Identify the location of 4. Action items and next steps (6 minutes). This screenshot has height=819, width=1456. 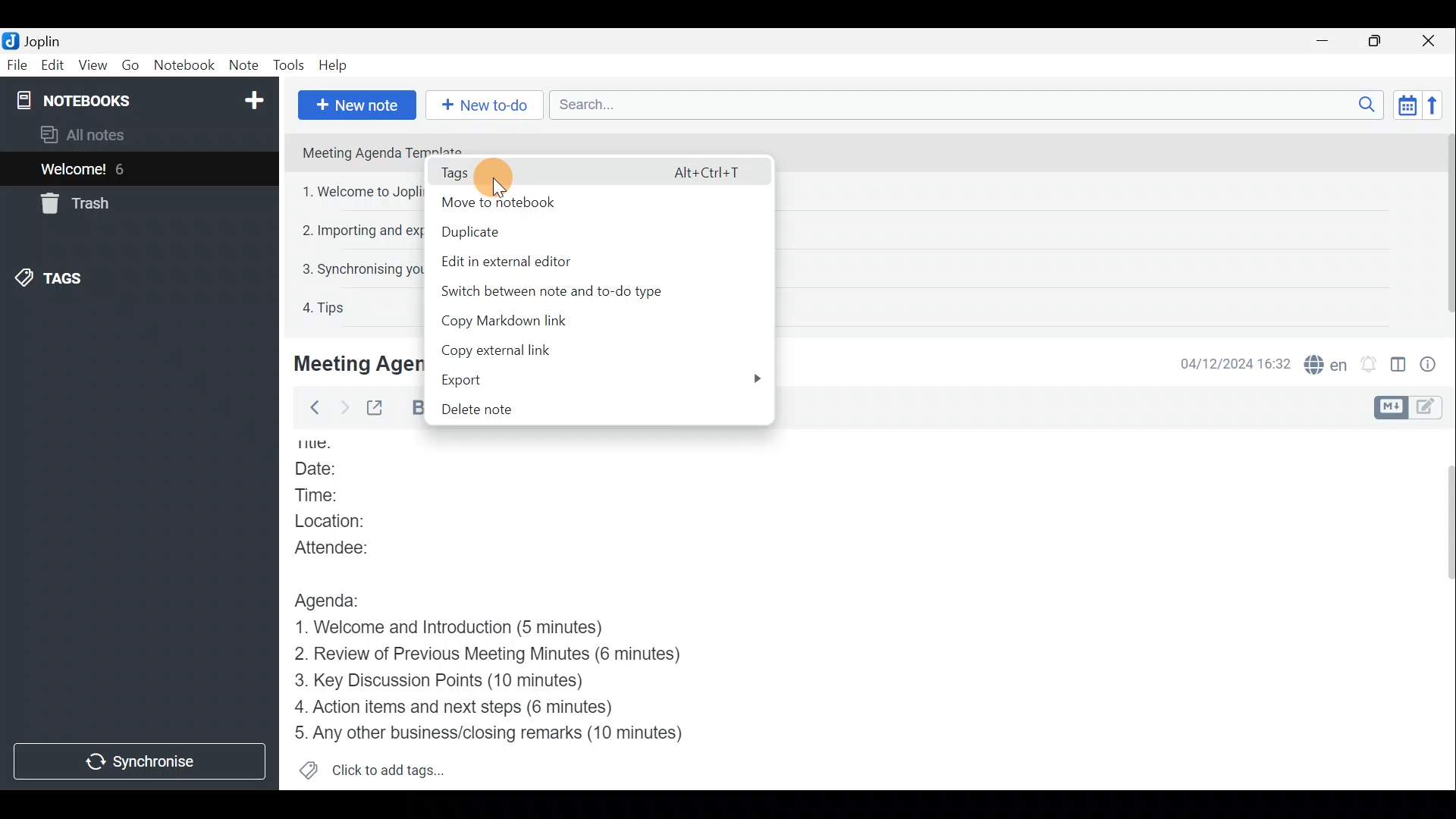
(479, 706).